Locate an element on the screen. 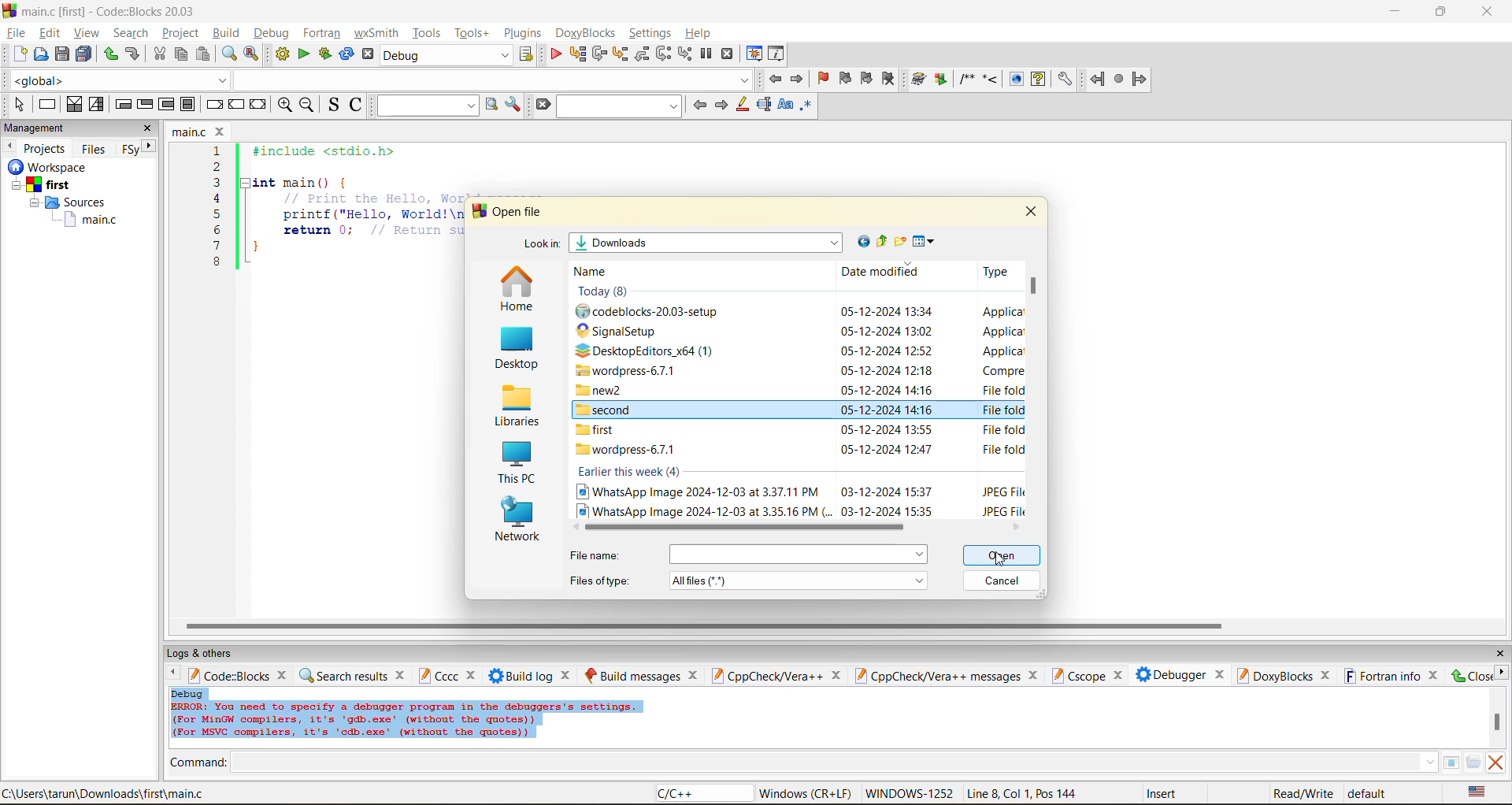 Image resolution: width=1512 pixels, height=805 pixels. code:blocks is located at coordinates (228, 675).